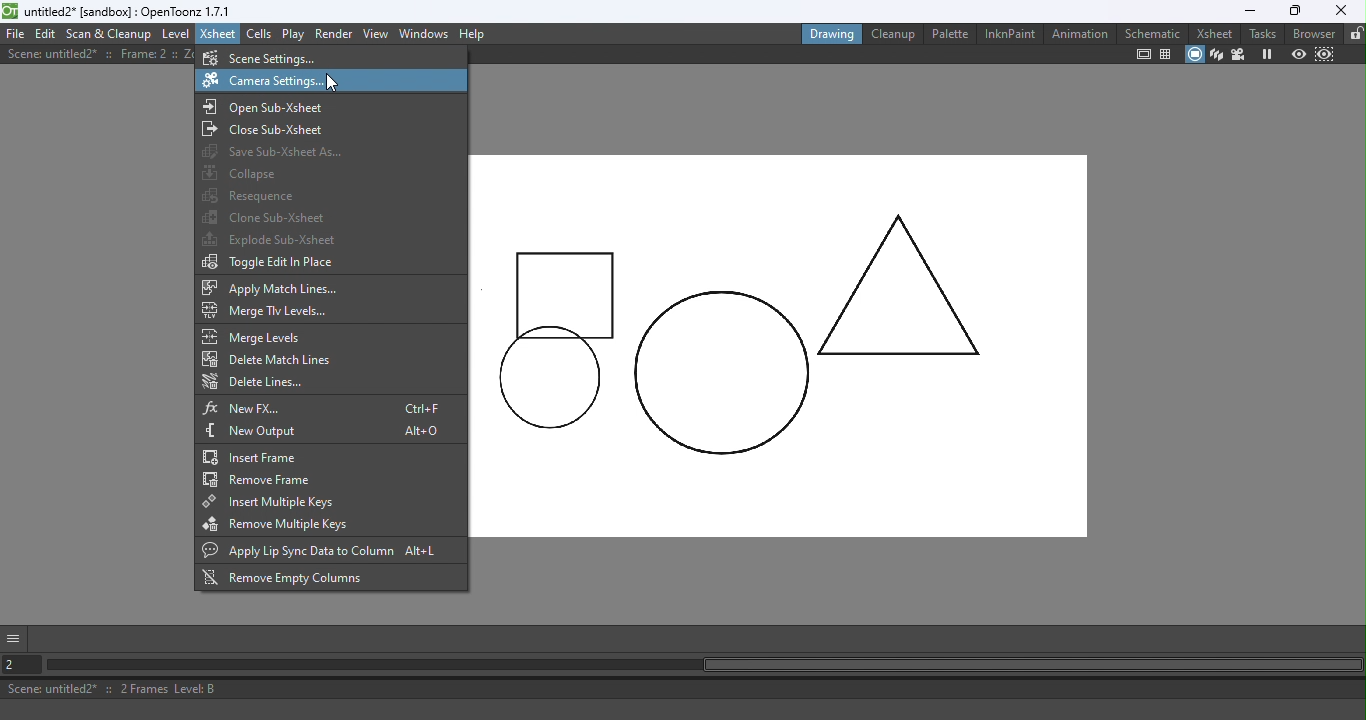 The height and width of the screenshot is (720, 1366). What do you see at coordinates (1297, 54) in the screenshot?
I see `Preview` at bounding box center [1297, 54].